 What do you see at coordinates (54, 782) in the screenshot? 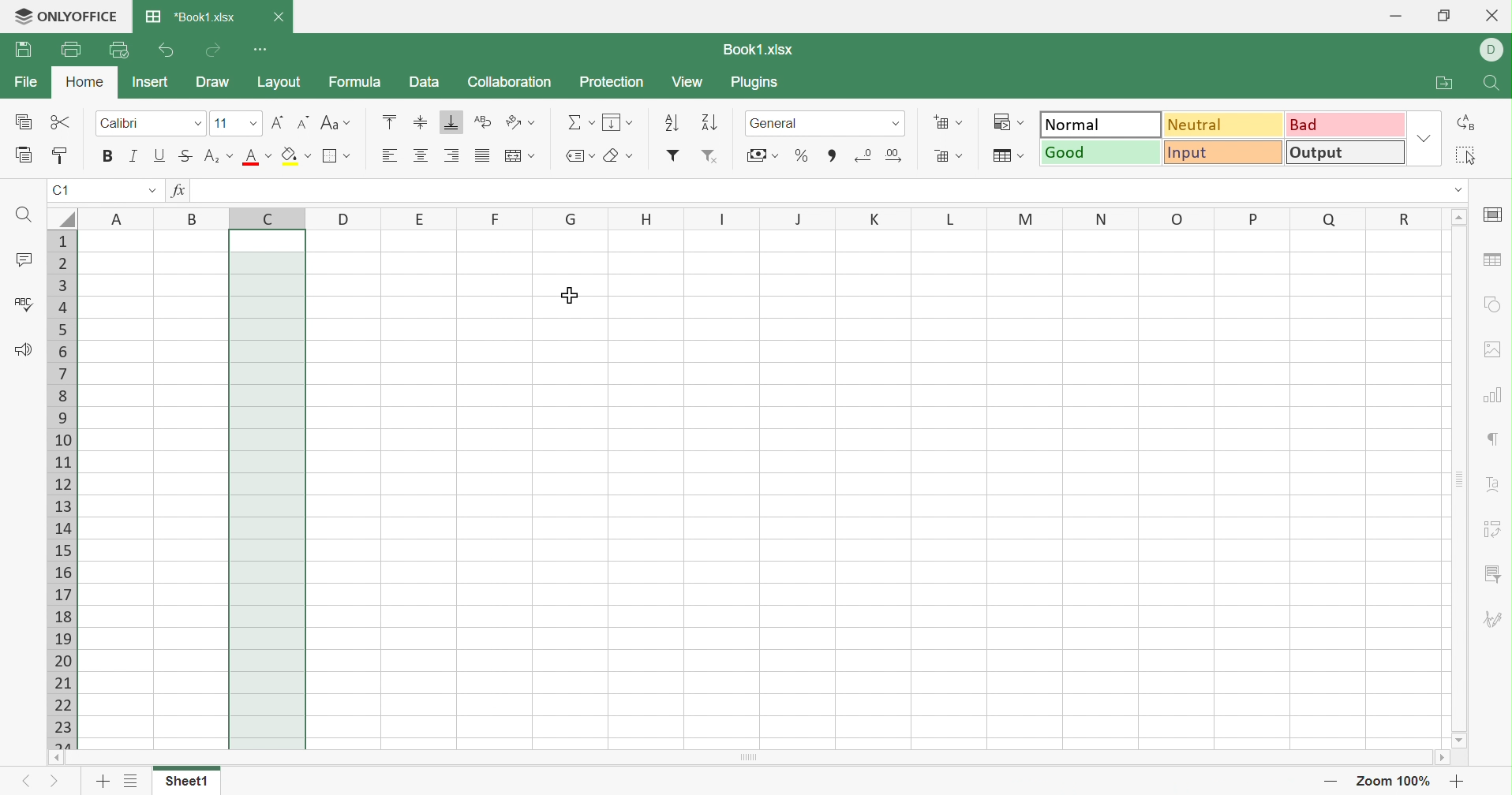
I see `Next` at bounding box center [54, 782].